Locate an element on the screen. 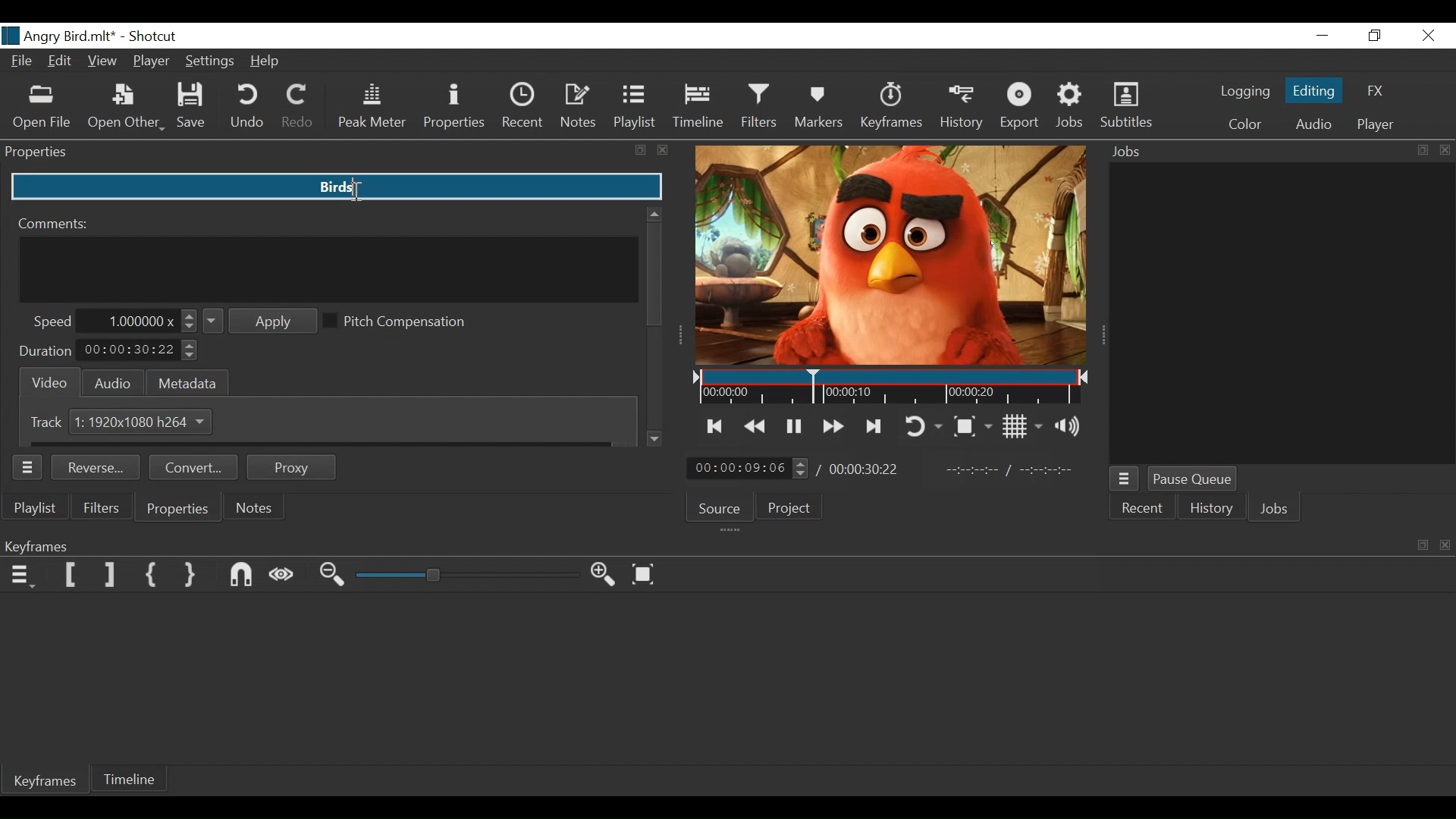 The height and width of the screenshot is (819, 1456). Jobs Panel is located at coordinates (1275, 152).